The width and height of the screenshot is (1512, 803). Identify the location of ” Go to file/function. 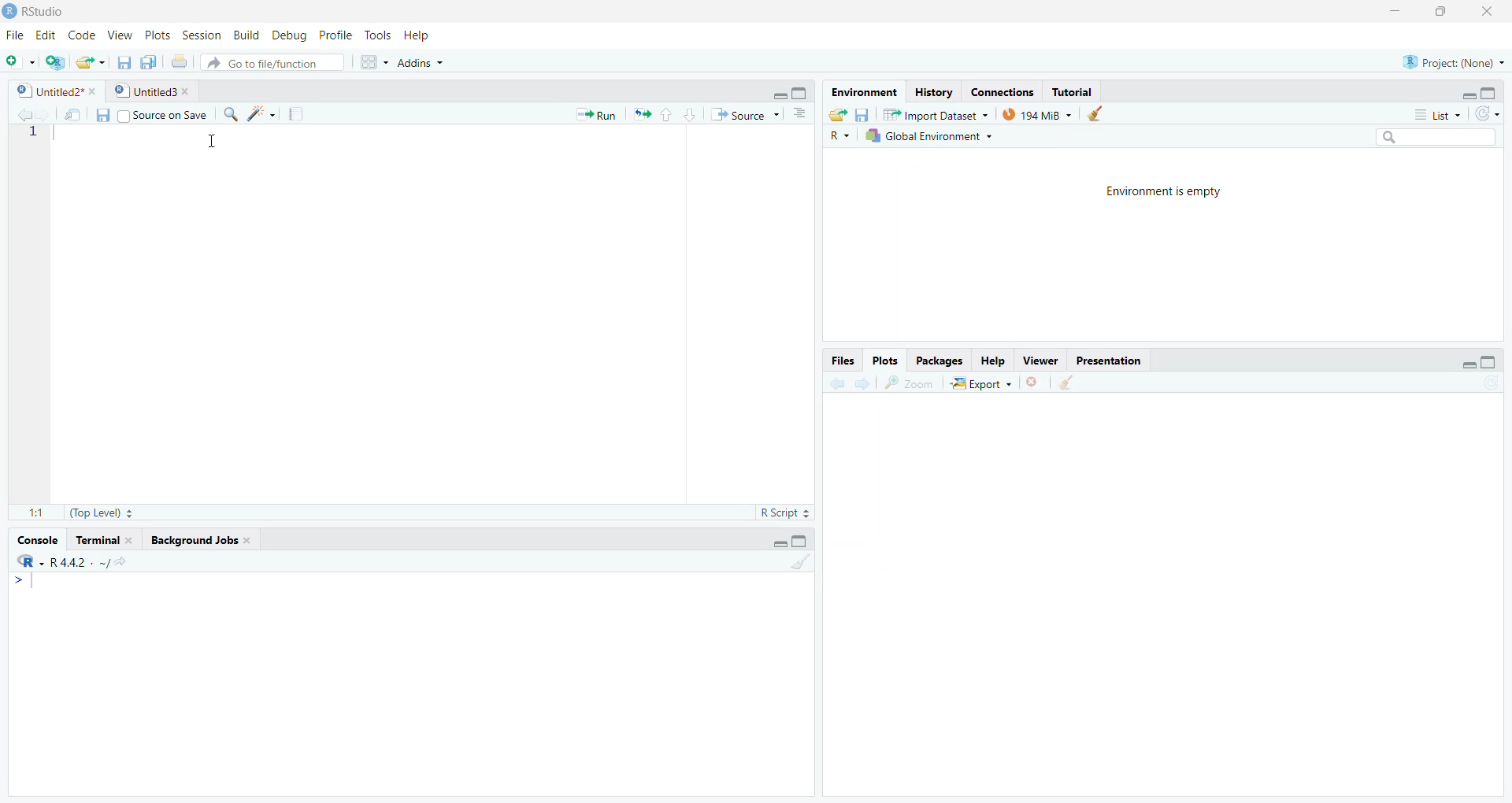
(276, 62).